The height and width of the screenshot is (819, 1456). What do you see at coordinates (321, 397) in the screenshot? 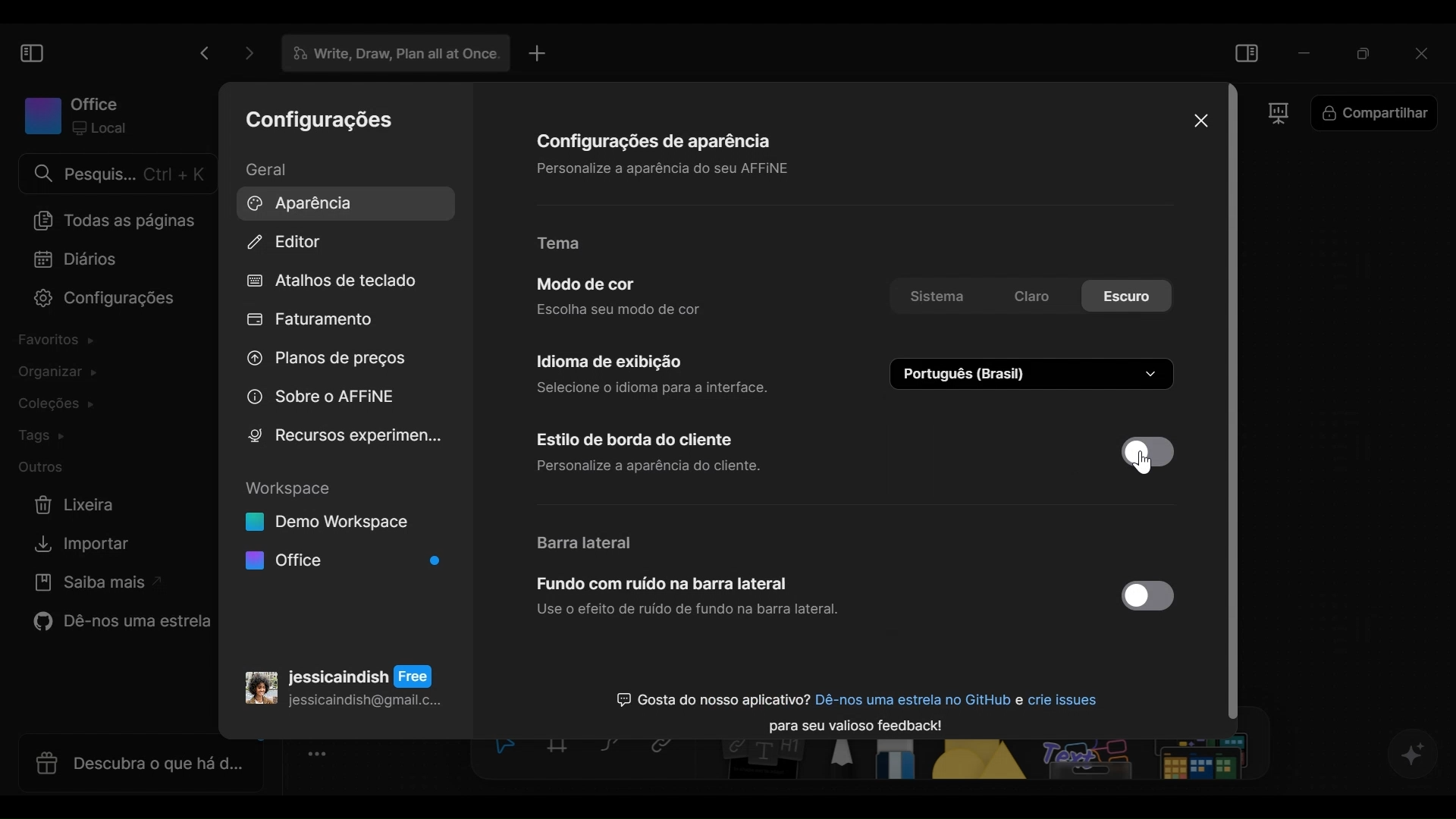
I see `About AFFiNE` at bounding box center [321, 397].